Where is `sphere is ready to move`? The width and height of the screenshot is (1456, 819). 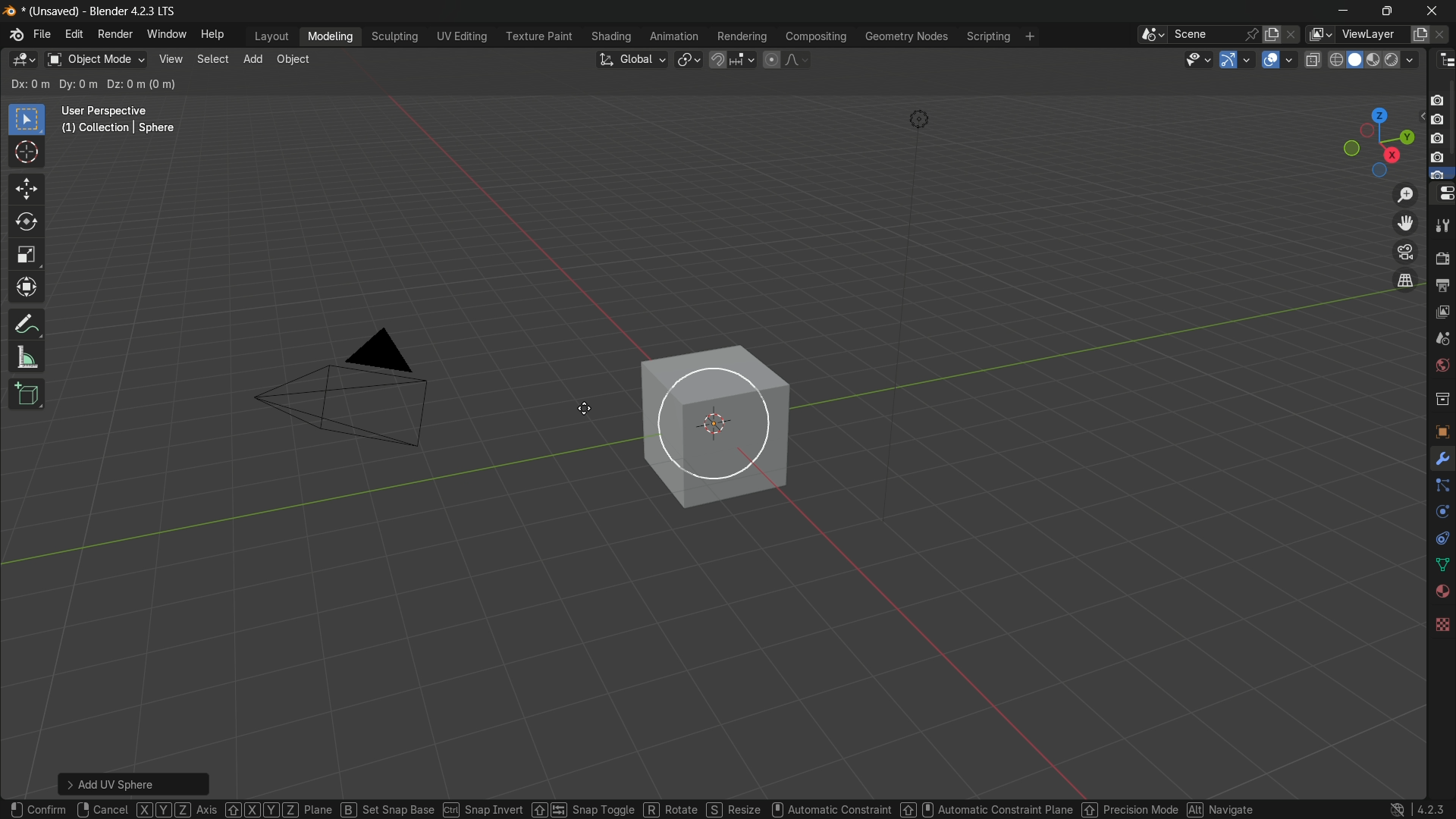
sphere is ready to move is located at coordinates (725, 418).